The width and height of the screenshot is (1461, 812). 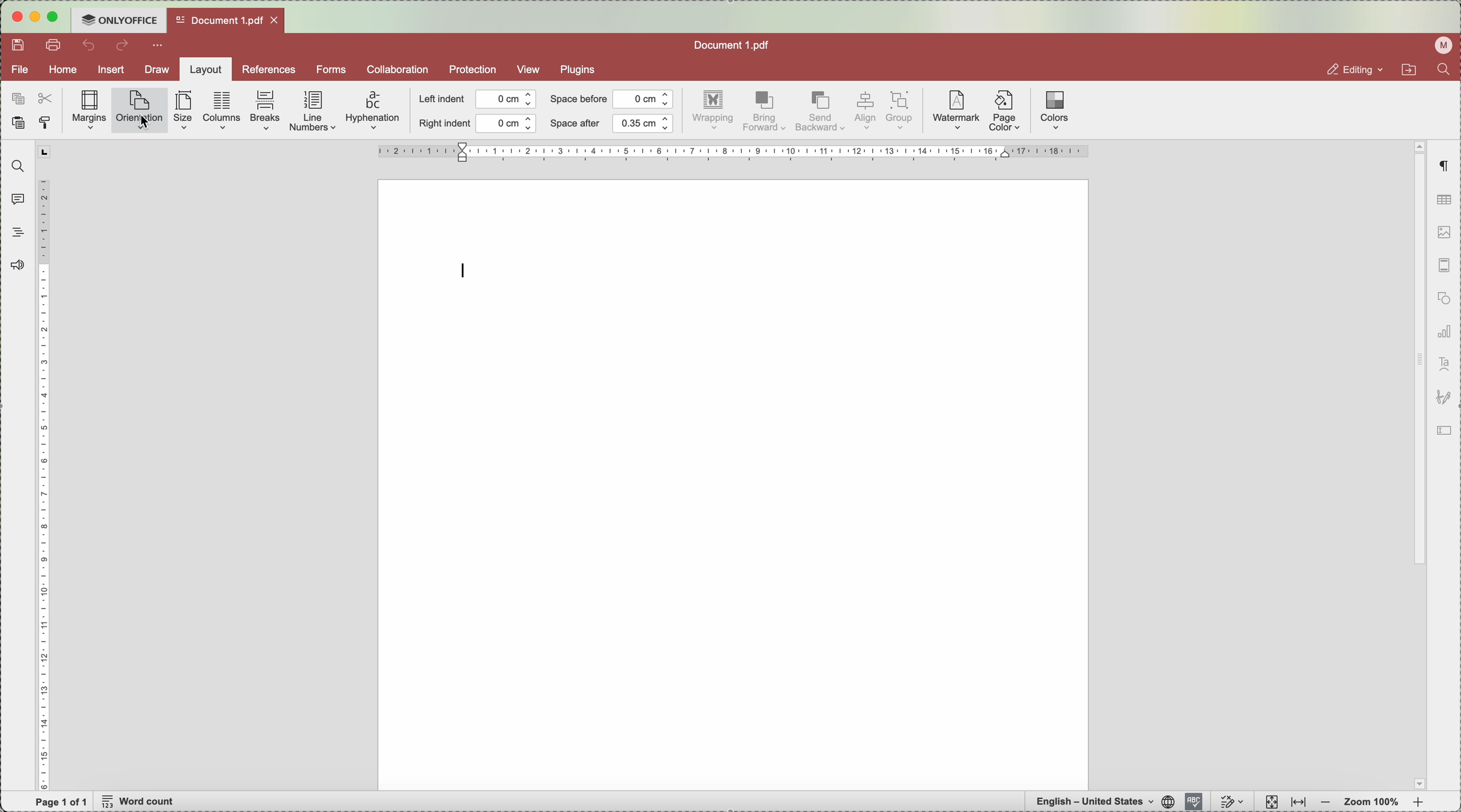 What do you see at coordinates (266, 111) in the screenshot?
I see `breaks` at bounding box center [266, 111].